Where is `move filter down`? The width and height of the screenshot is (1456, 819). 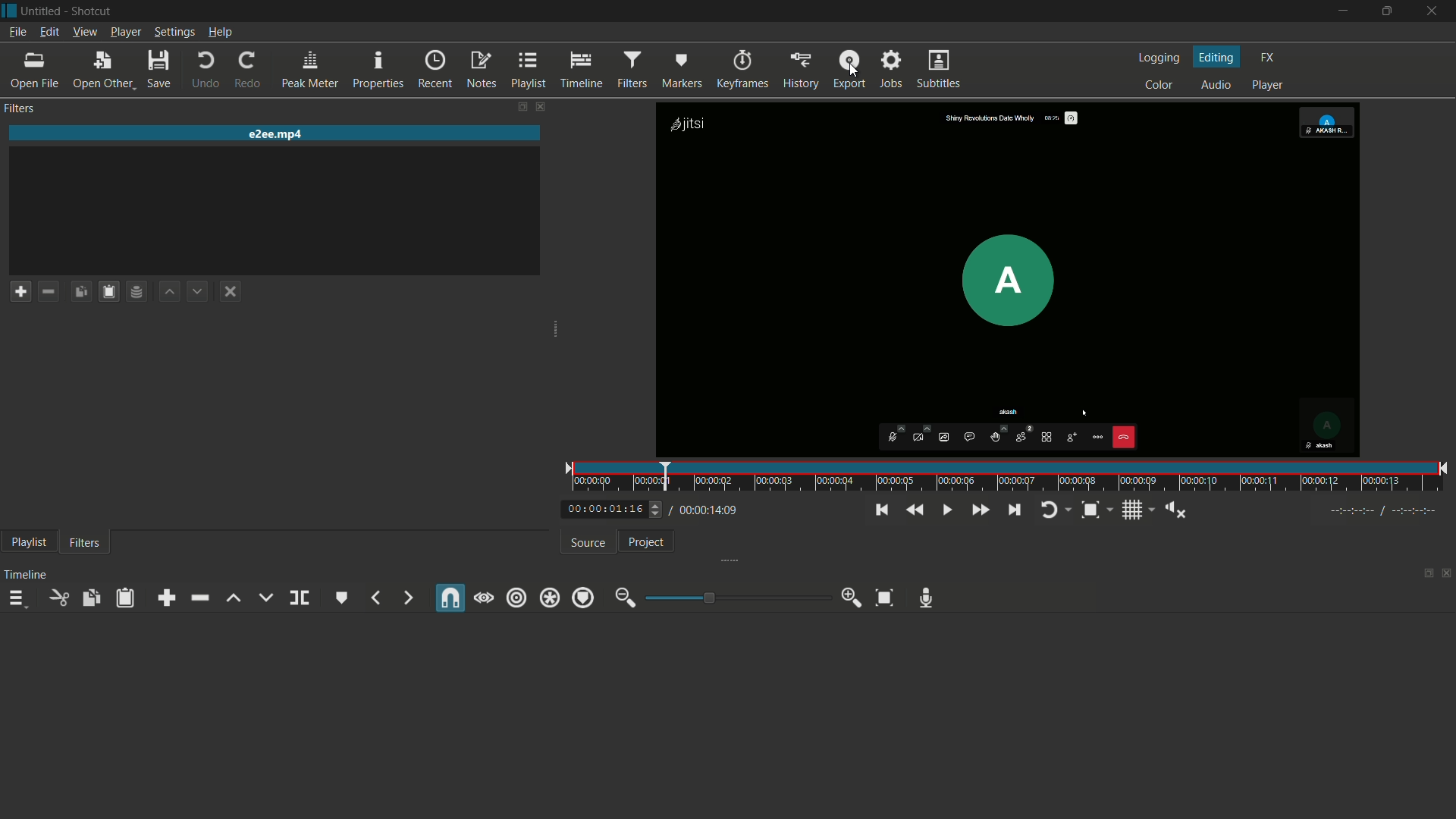 move filter down is located at coordinates (199, 293).